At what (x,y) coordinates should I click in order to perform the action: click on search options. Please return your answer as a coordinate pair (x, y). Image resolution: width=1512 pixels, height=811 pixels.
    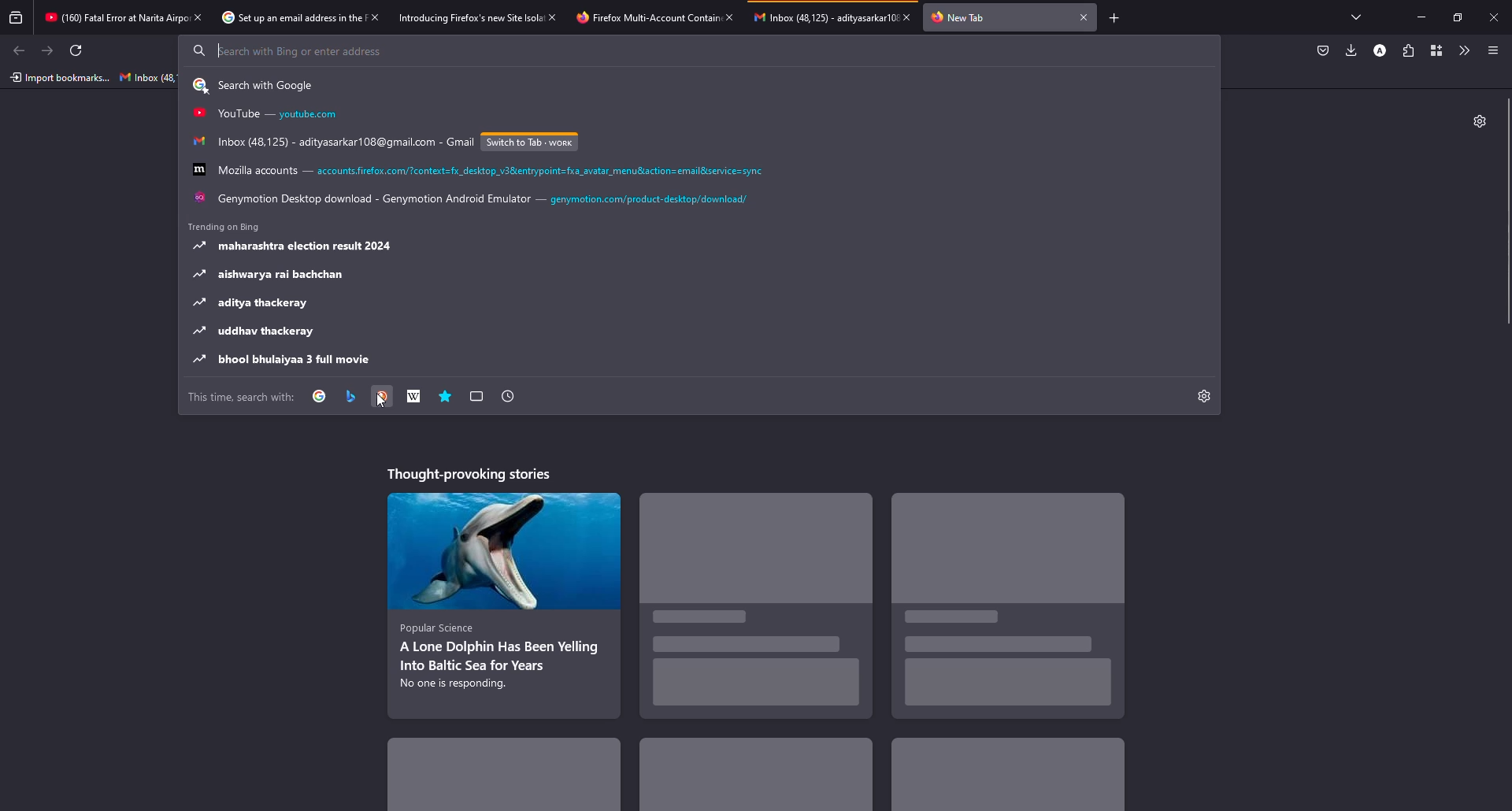
    Looking at the image, I should click on (253, 304).